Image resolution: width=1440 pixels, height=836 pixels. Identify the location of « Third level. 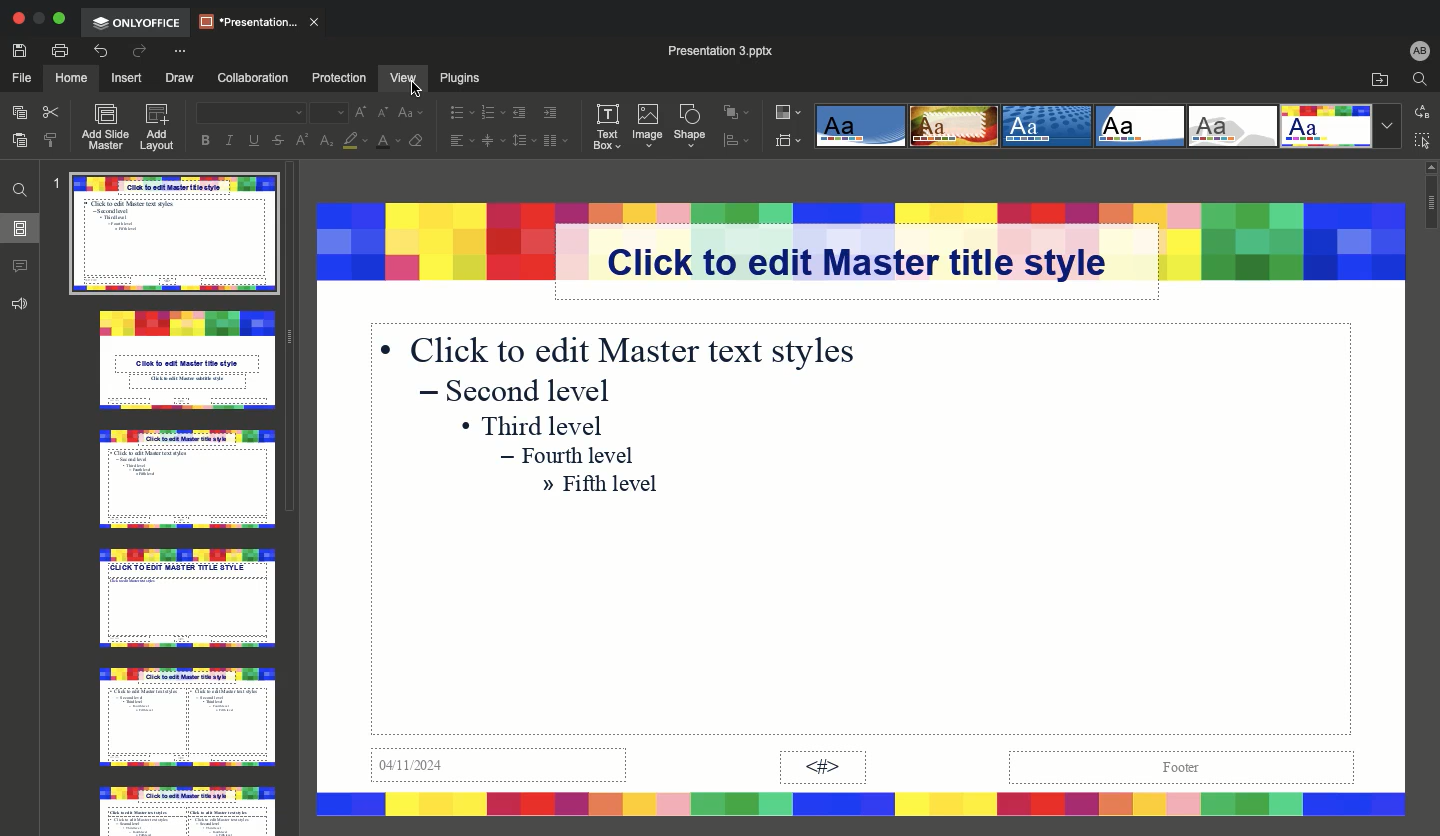
(542, 423).